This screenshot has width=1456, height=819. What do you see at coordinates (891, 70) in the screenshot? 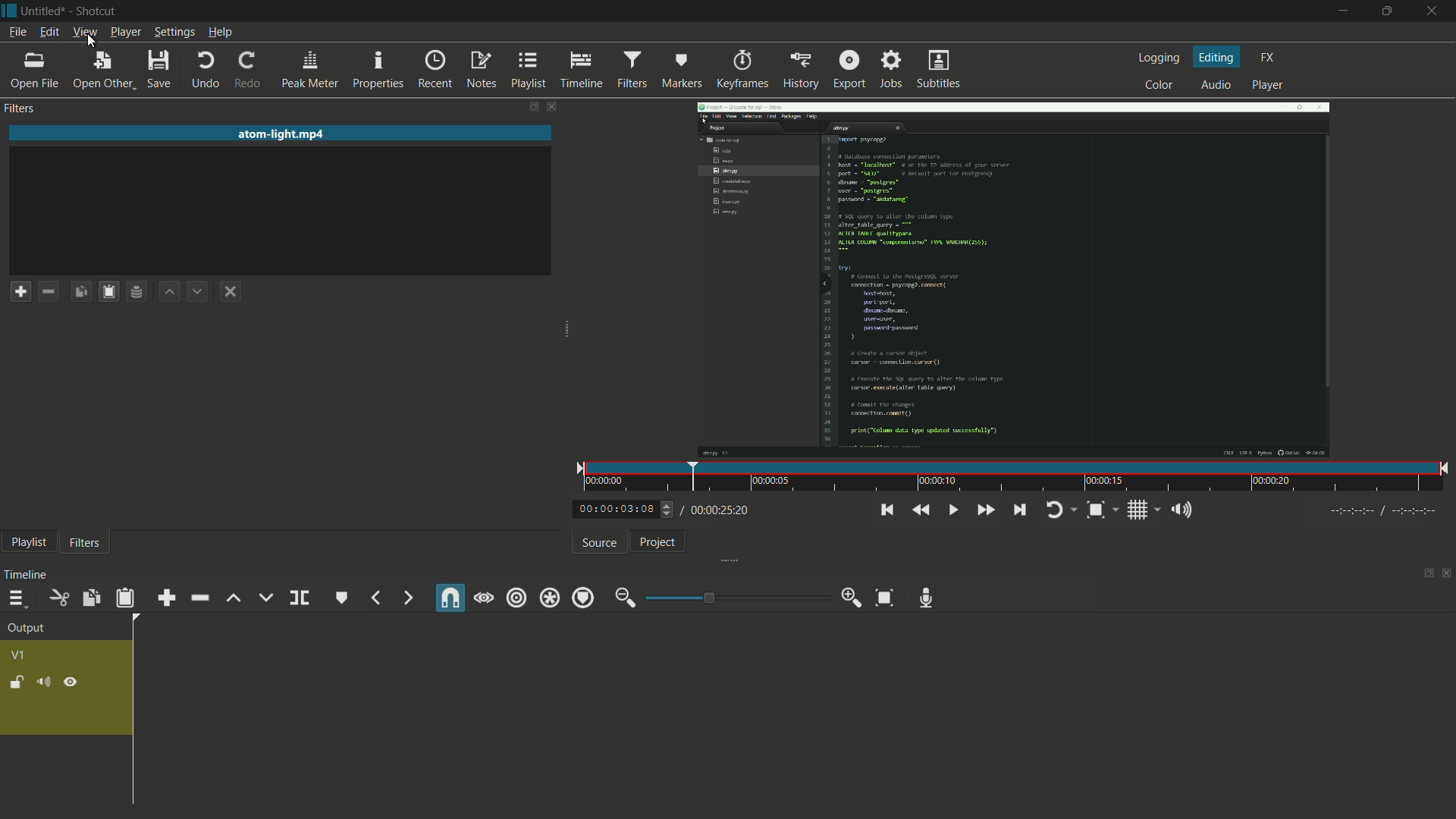
I see `jobs` at bounding box center [891, 70].